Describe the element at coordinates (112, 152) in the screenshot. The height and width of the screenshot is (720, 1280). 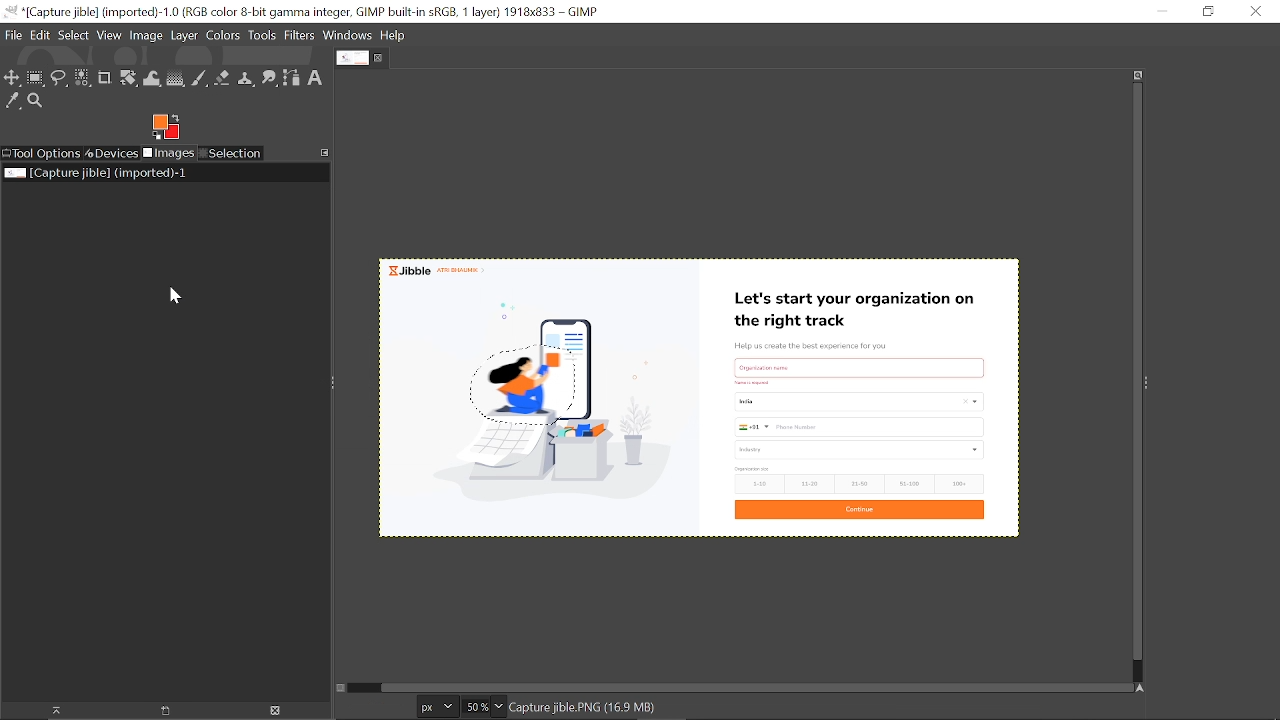
I see `Devices` at that location.